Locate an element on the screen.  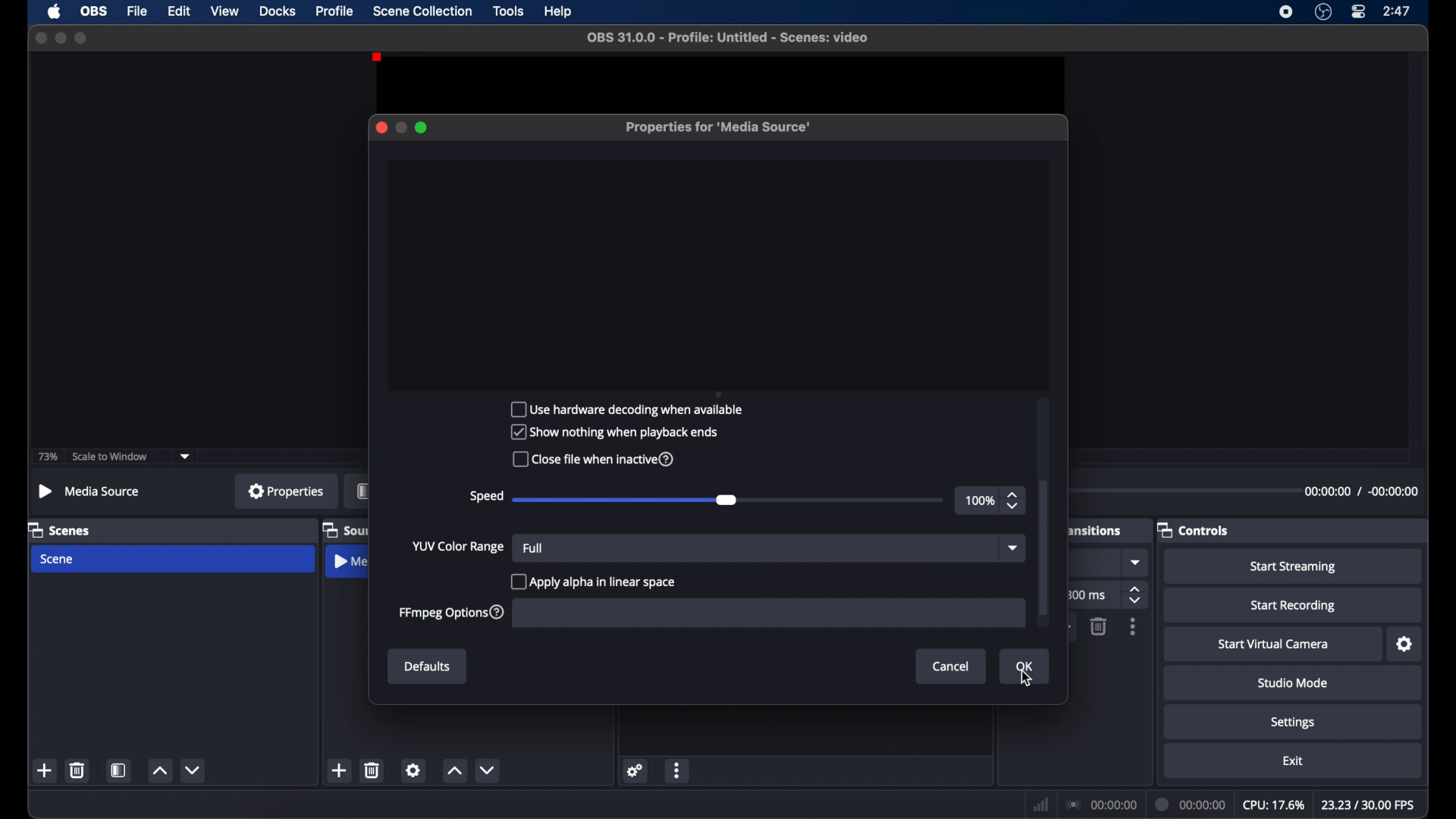
settings is located at coordinates (413, 770).